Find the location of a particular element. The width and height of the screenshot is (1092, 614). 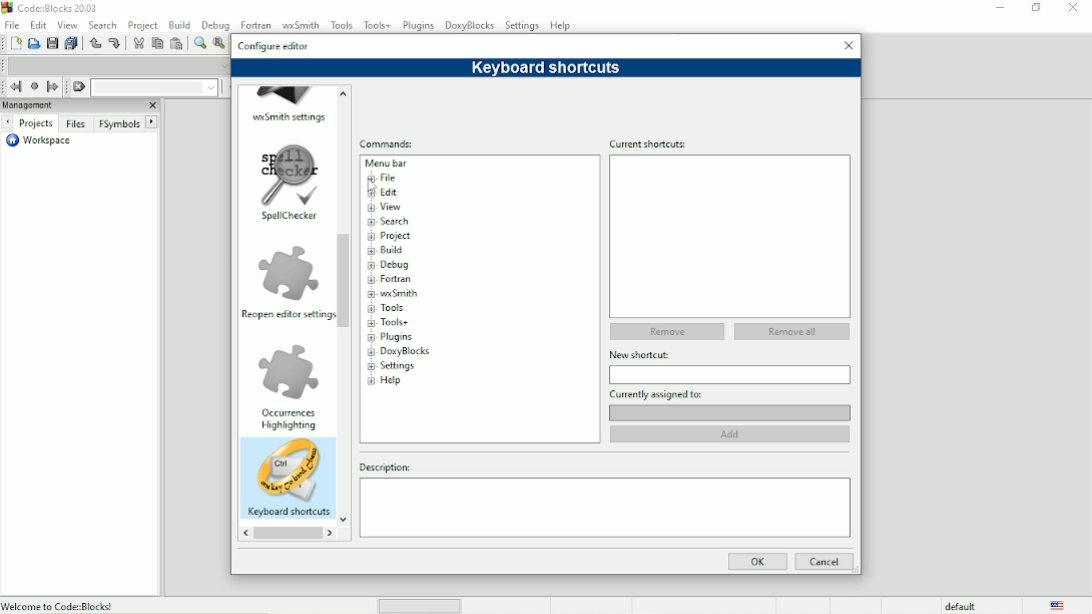

DoxyBlocks is located at coordinates (470, 25).